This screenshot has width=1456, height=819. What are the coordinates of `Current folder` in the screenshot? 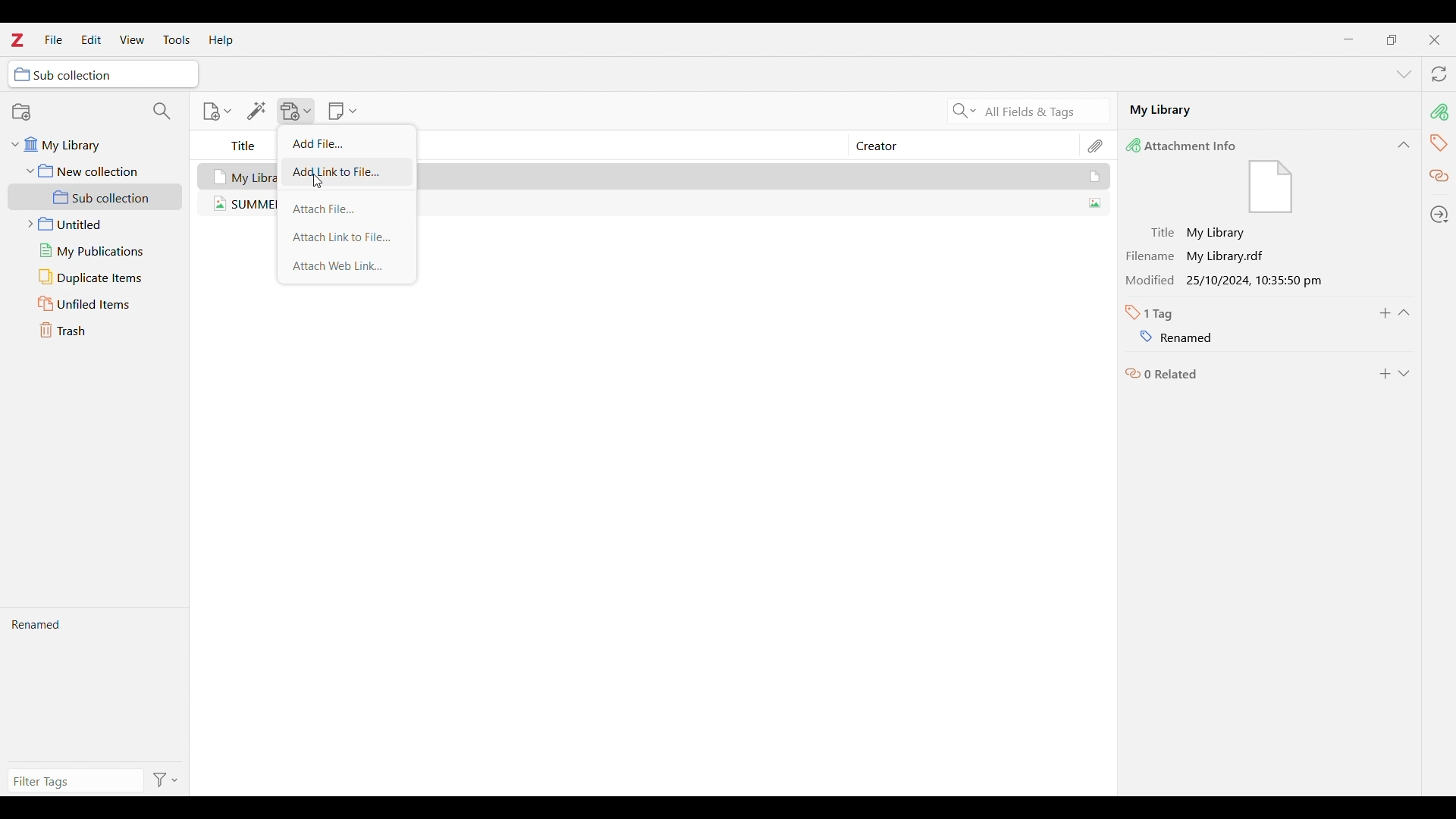 It's located at (103, 74).